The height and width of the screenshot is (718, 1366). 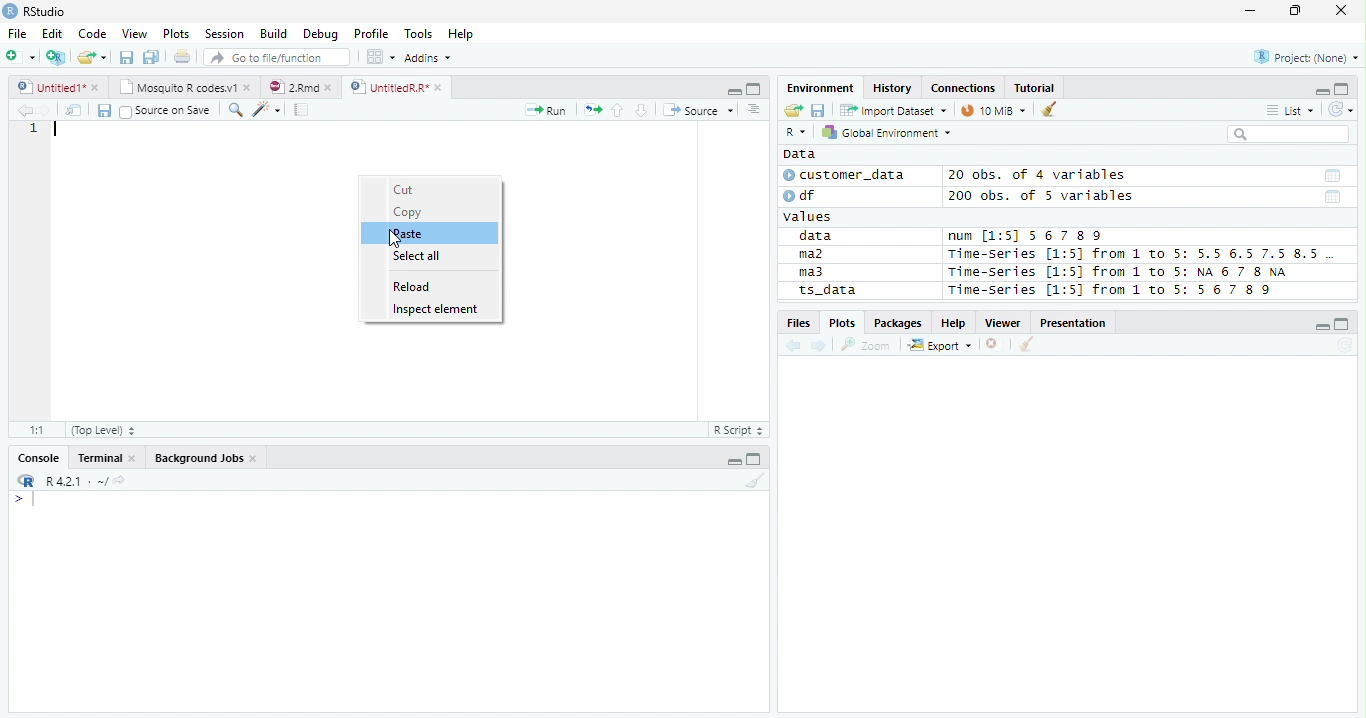 I want to click on Save all open documents, so click(x=151, y=58).